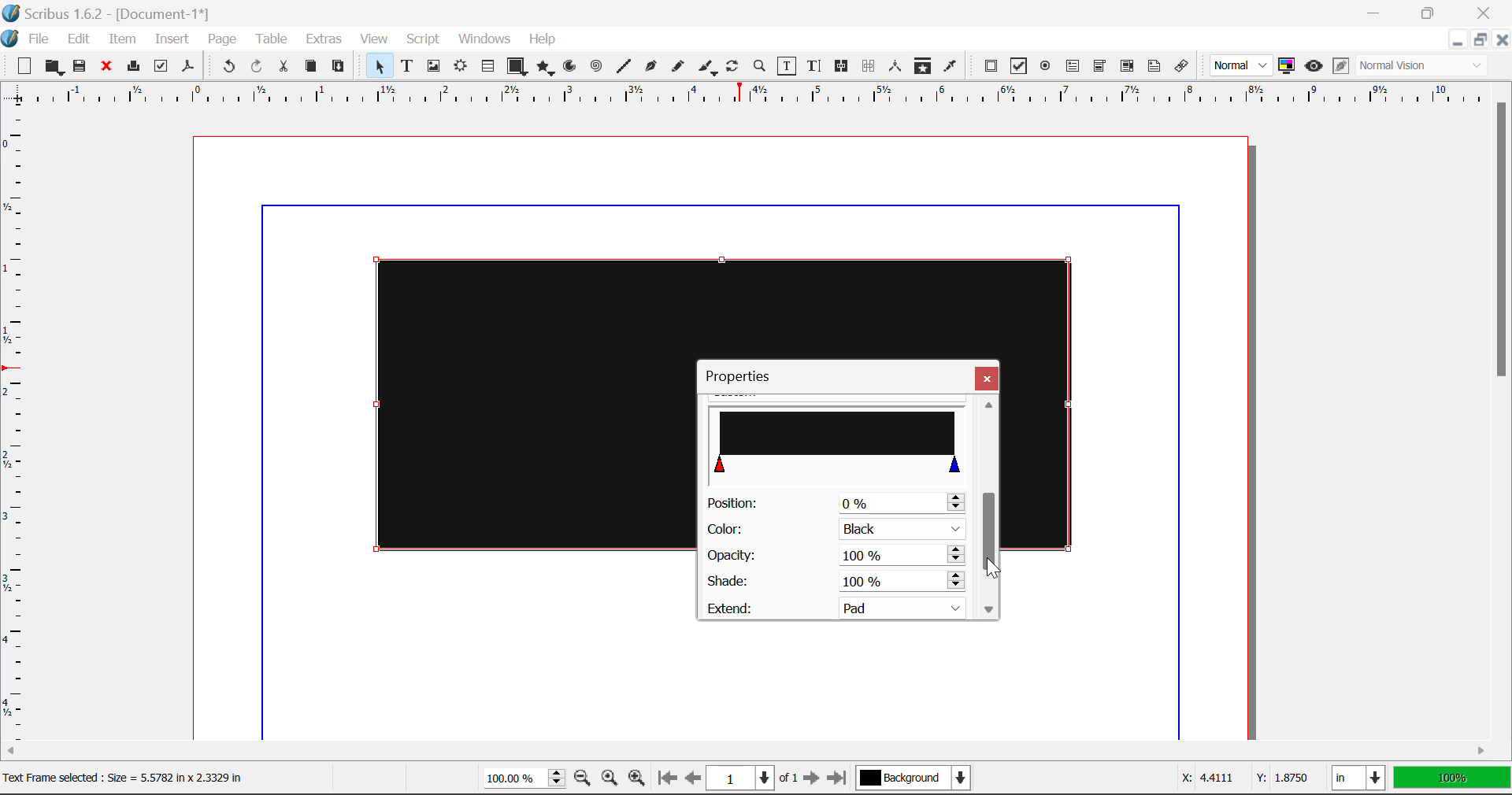 The image size is (1512, 795). I want to click on Script, so click(424, 39).